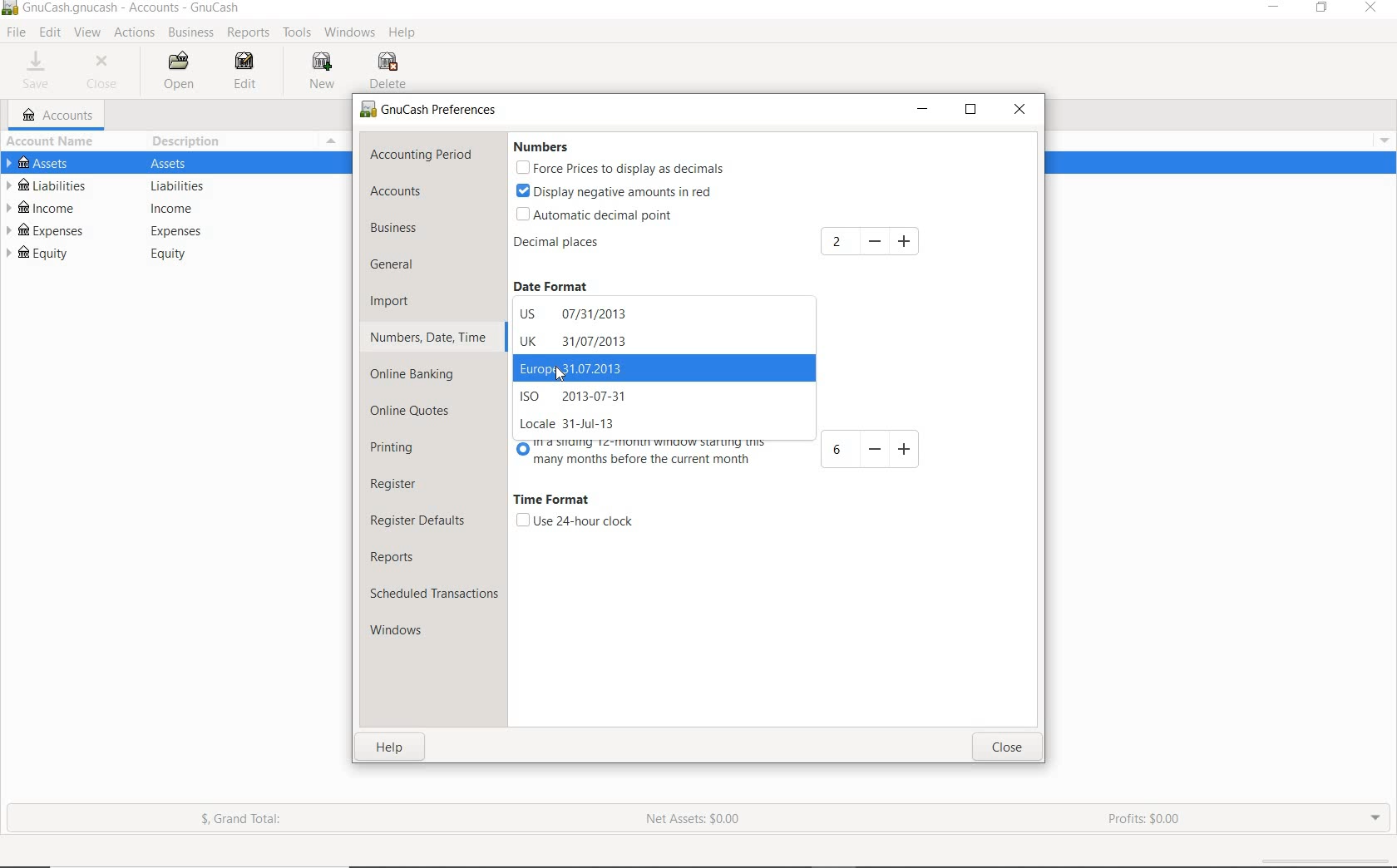  I want to click on EQUITY, so click(172, 256).